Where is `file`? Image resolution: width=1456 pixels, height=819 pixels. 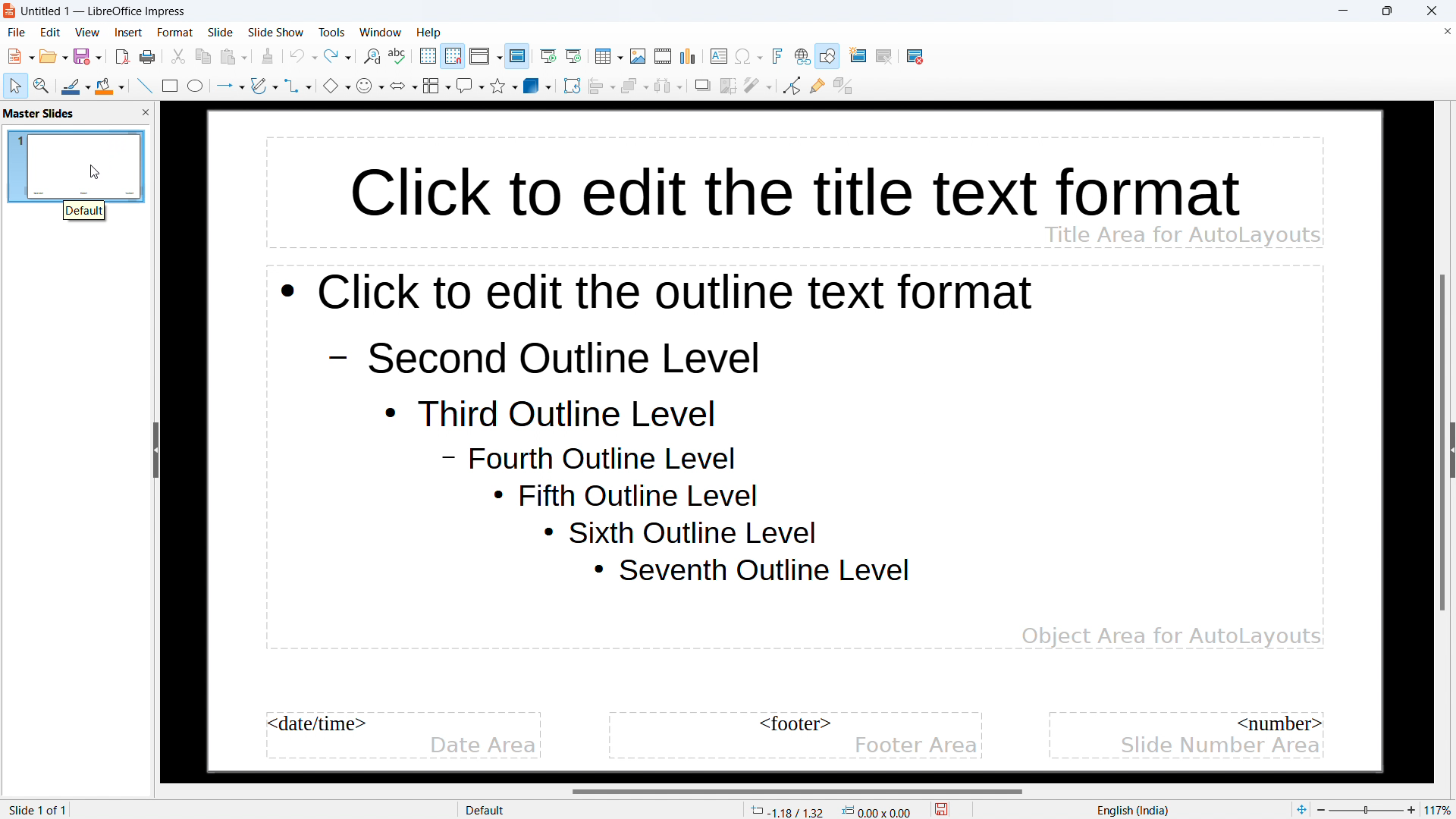 file is located at coordinates (17, 33).